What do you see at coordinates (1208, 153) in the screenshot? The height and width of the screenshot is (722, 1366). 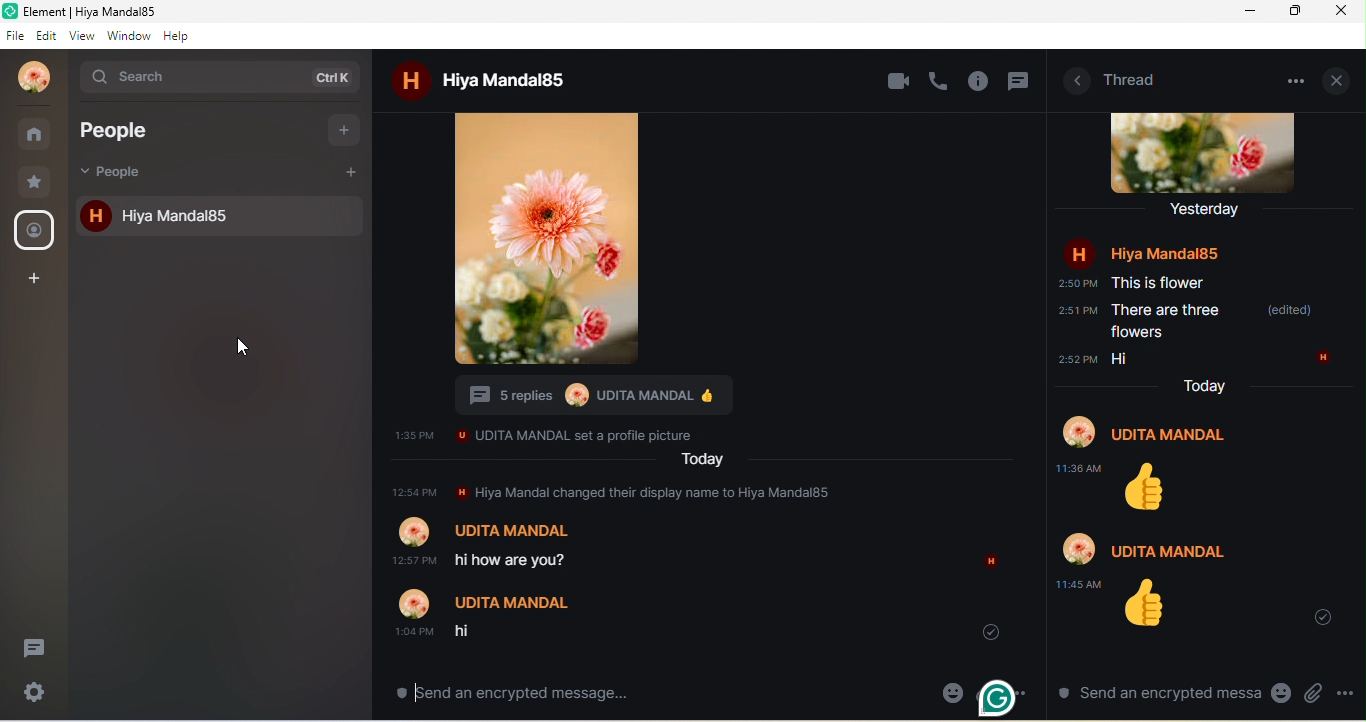 I see `profile photo` at bounding box center [1208, 153].